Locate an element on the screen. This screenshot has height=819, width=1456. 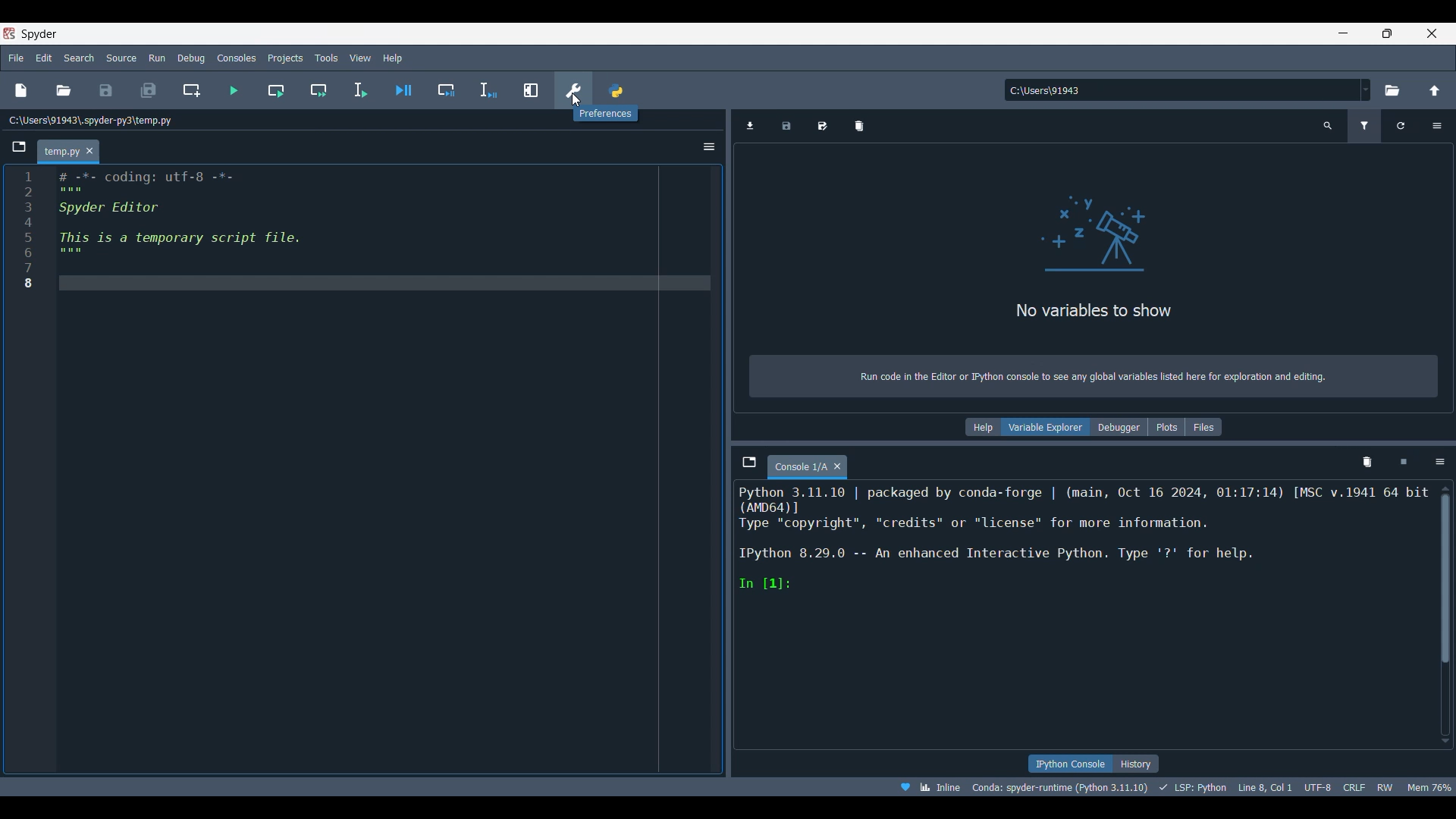
variable explorer pane is located at coordinates (1100, 261).